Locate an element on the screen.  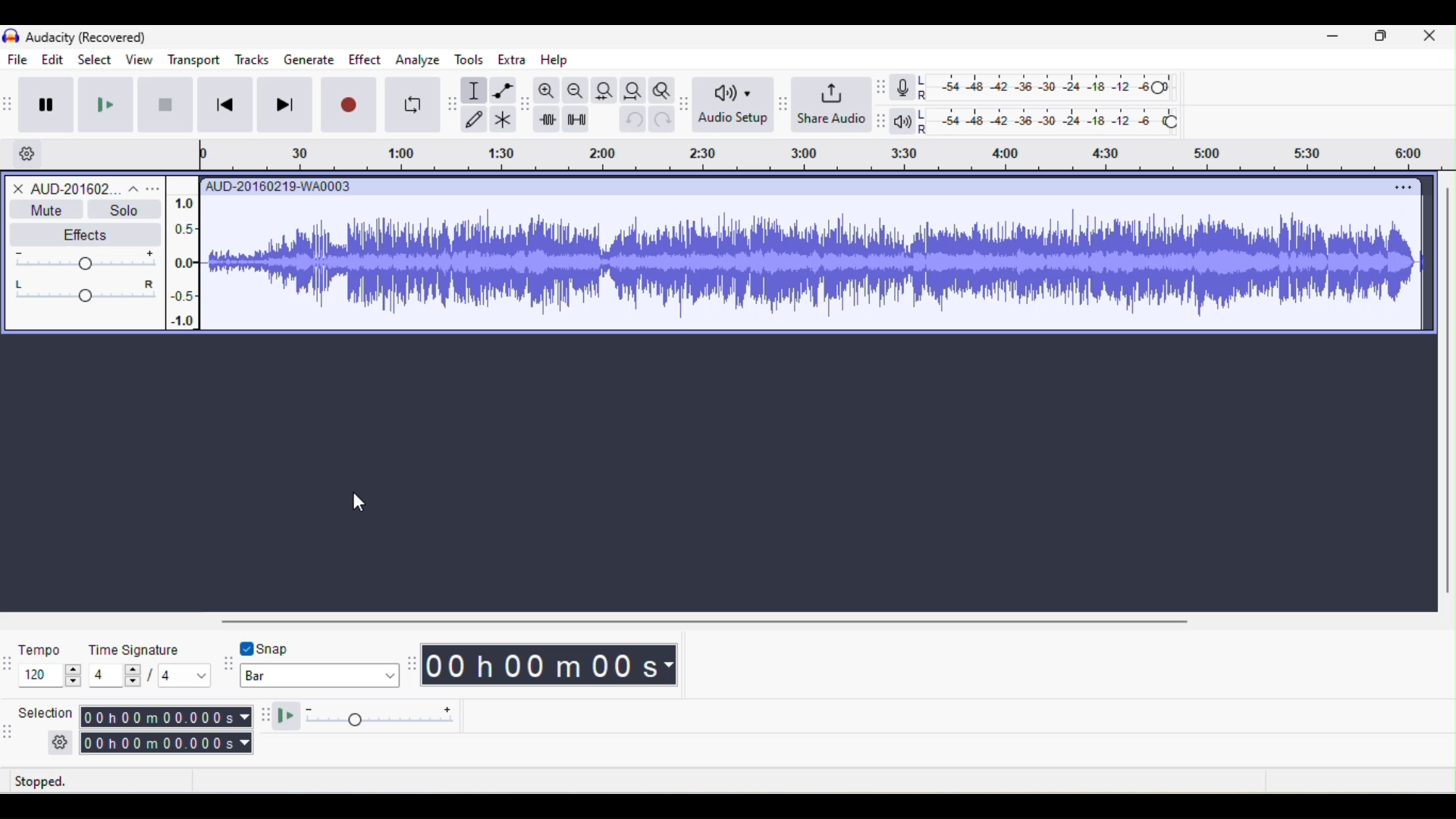
effect is located at coordinates (365, 59).